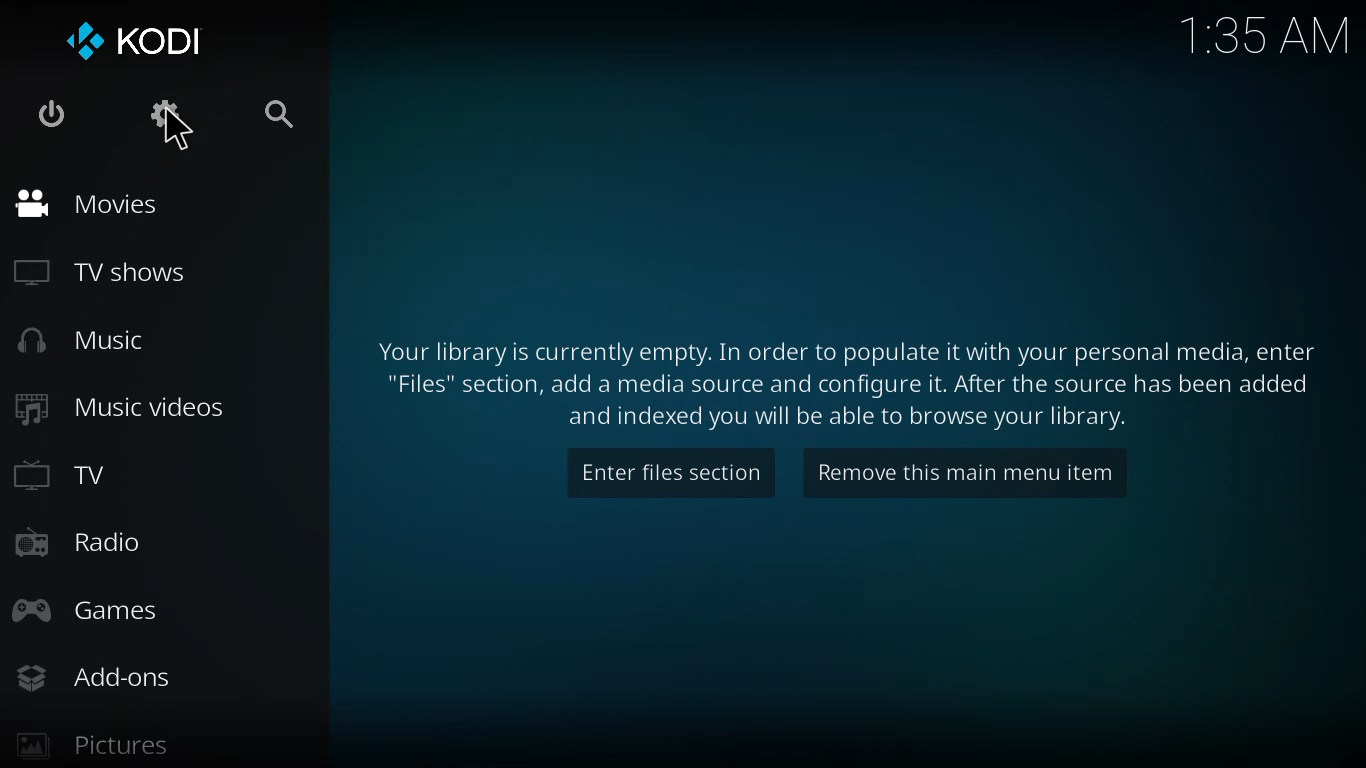 The image size is (1366, 768). I want to click on kodi, so click(133, 40).